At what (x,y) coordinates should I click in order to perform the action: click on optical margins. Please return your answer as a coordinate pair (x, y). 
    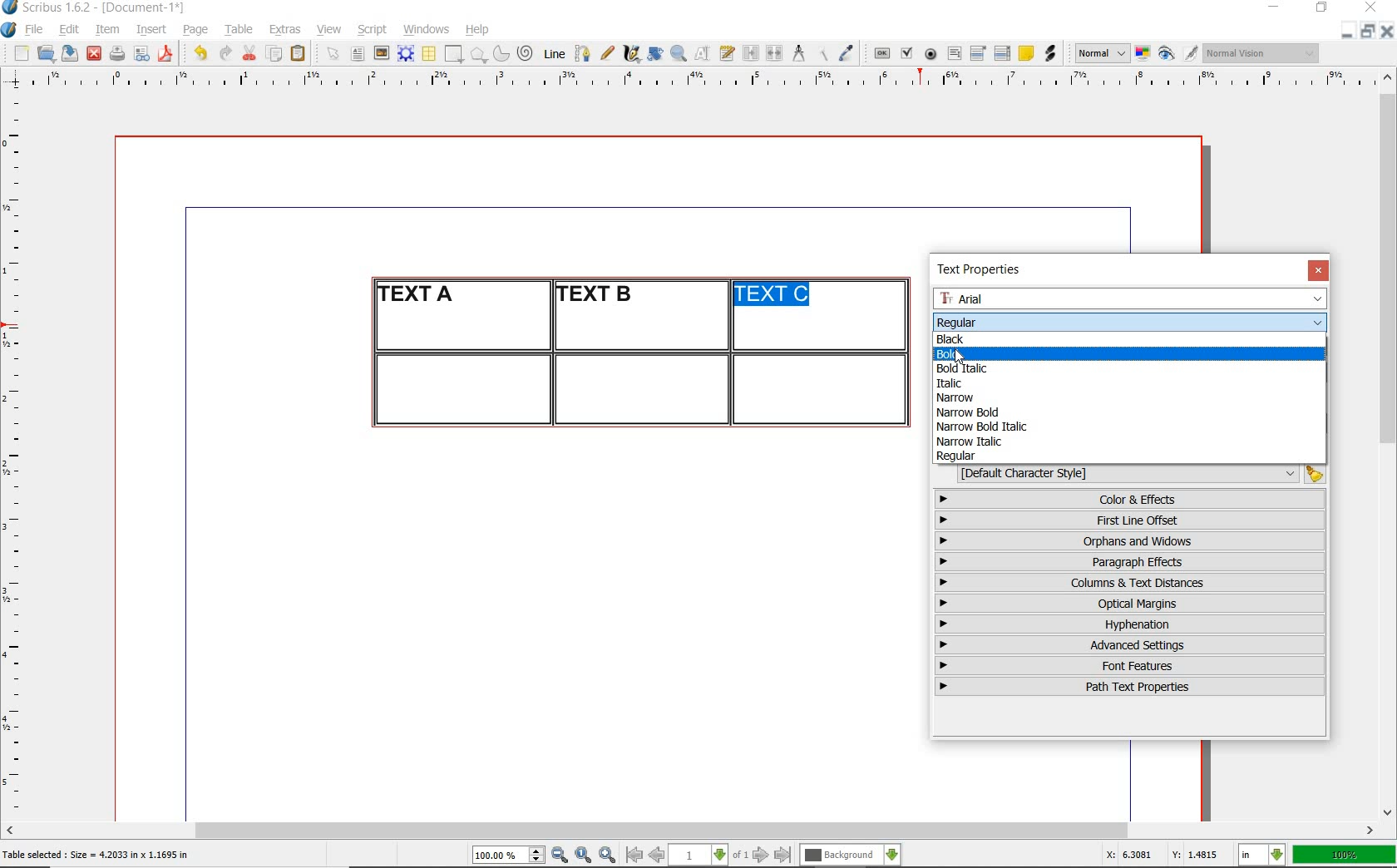
    Looking at the image, I should click on (1131, 604).